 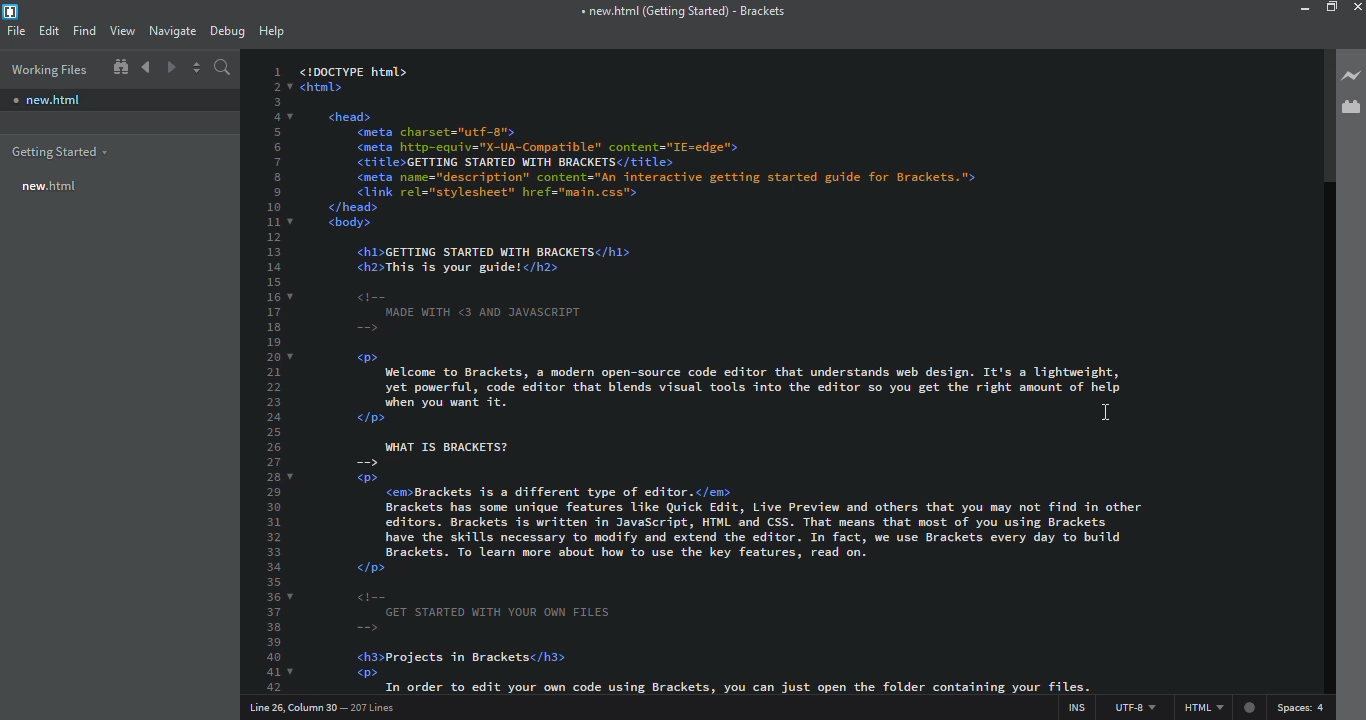 I want to click on utf 8, so click(x=1131, y=705).